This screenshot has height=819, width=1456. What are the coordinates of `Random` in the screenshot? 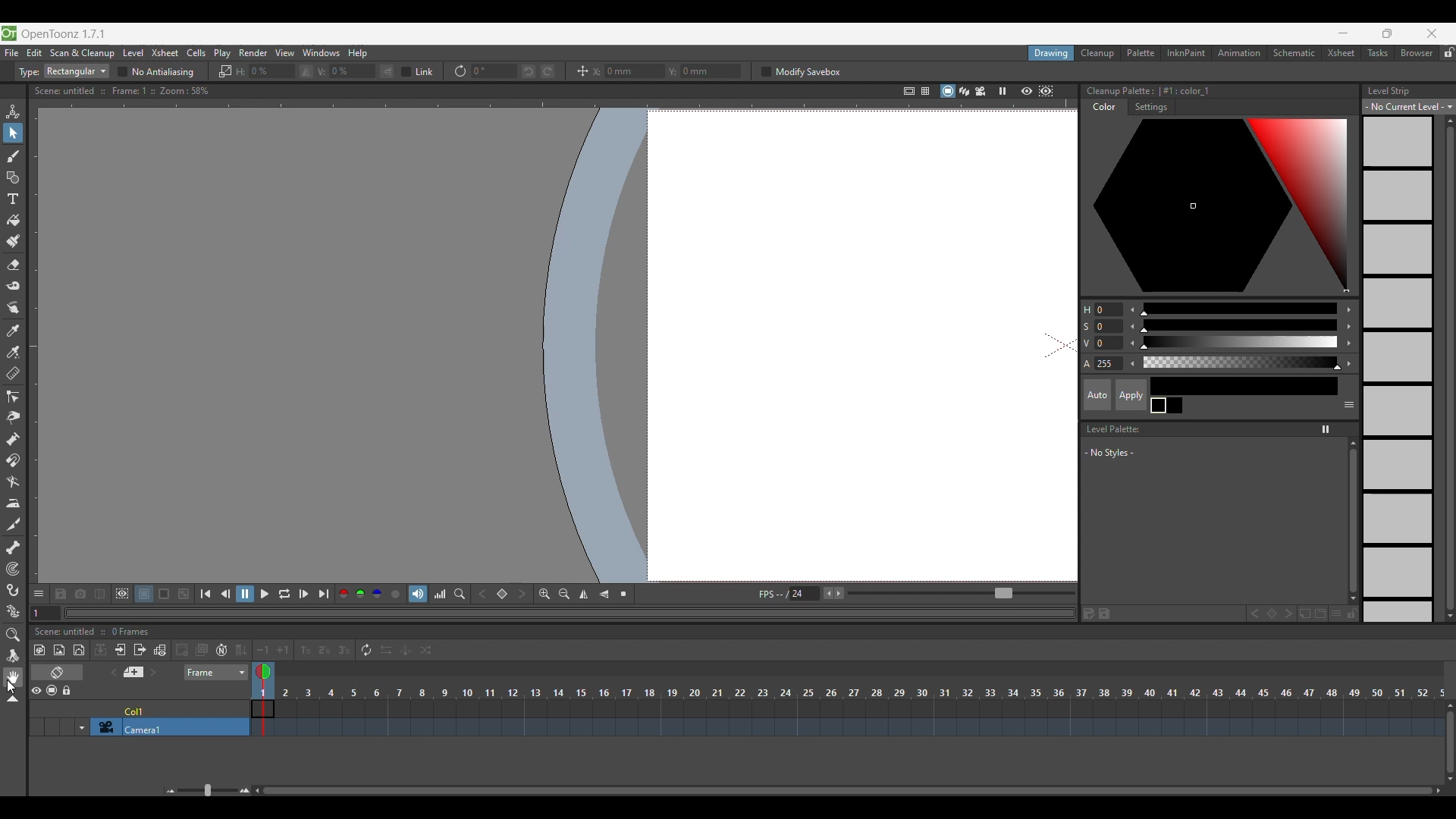 It's located at (425, 650).